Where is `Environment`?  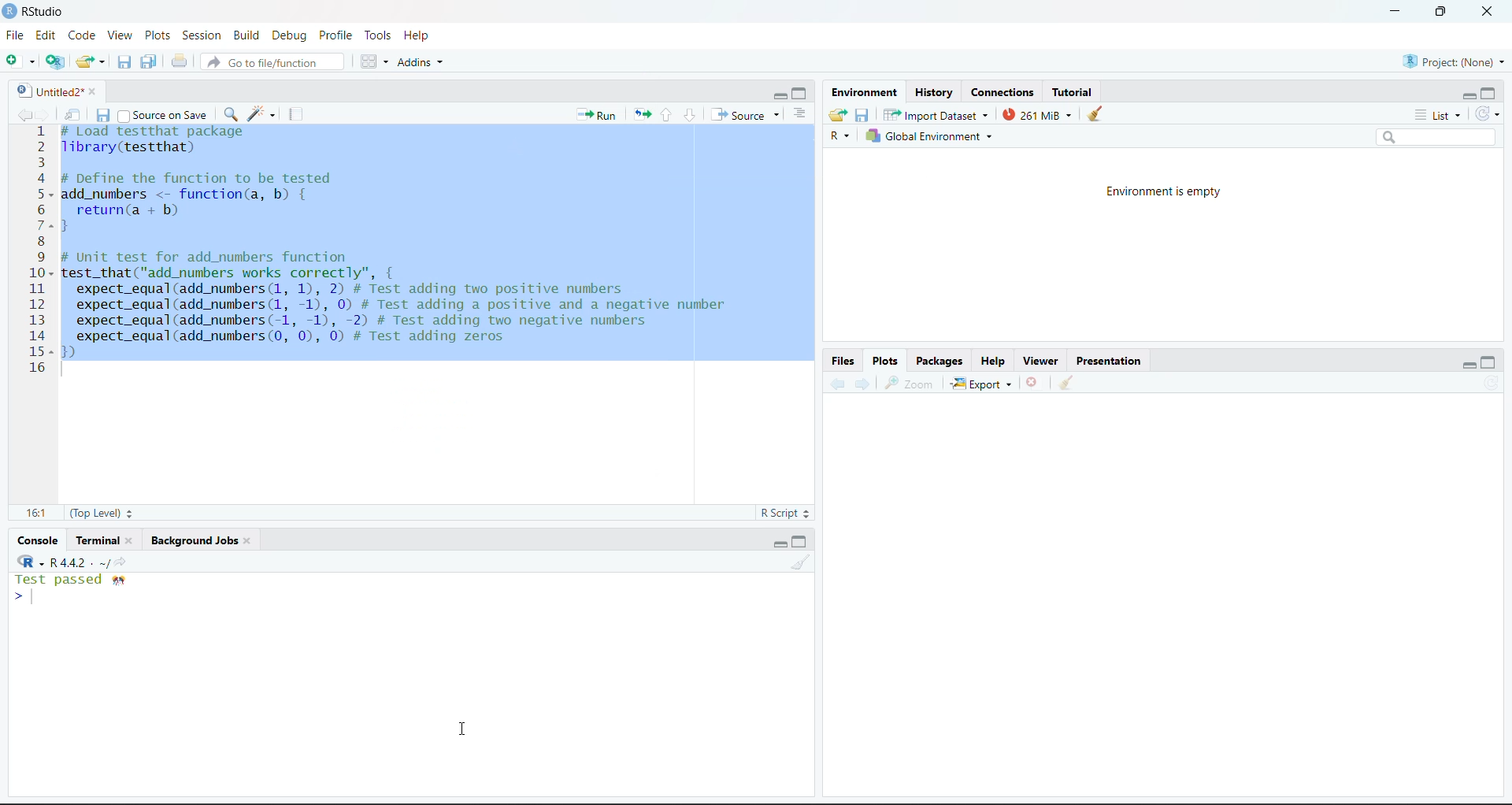
Environment is located at coordinates (865, 92).